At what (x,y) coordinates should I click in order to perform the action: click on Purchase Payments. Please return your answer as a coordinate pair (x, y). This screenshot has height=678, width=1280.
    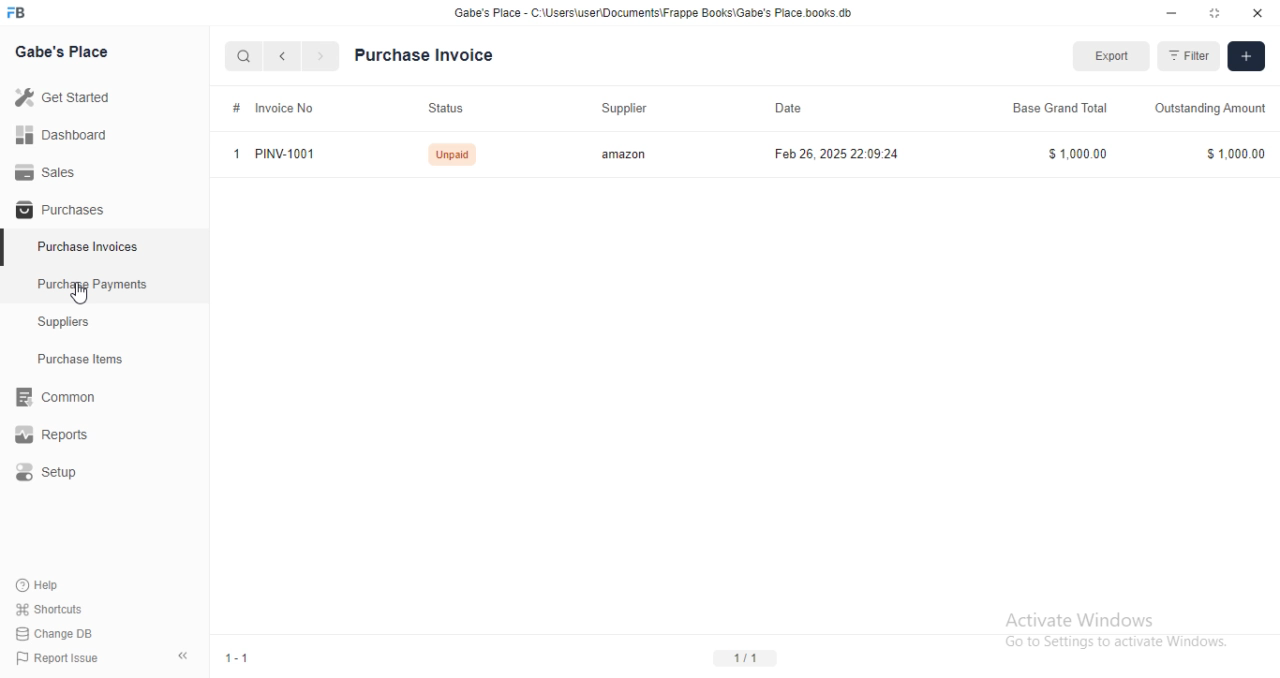
    Looking at the image, I should click on (91, 284).